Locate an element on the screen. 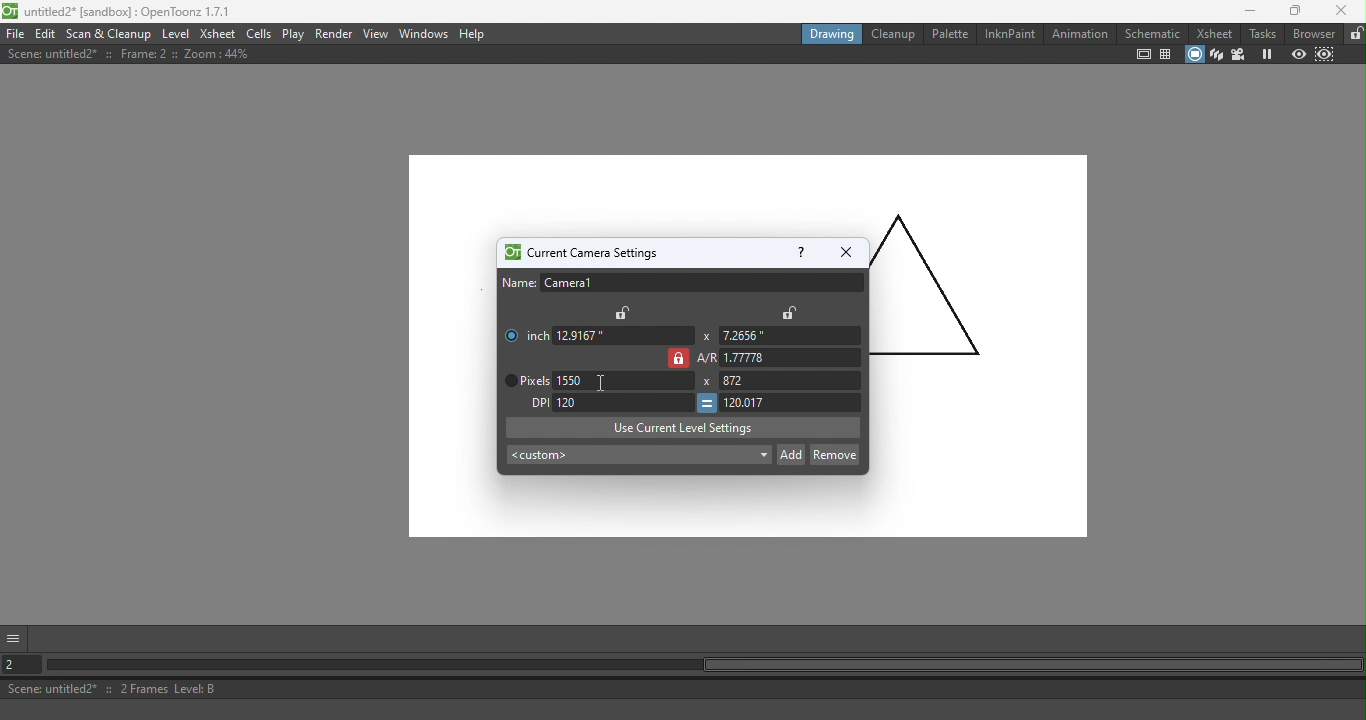 The width and height of the screenshot is (1366, 720). Pixels is located at coordinates (523, 381).